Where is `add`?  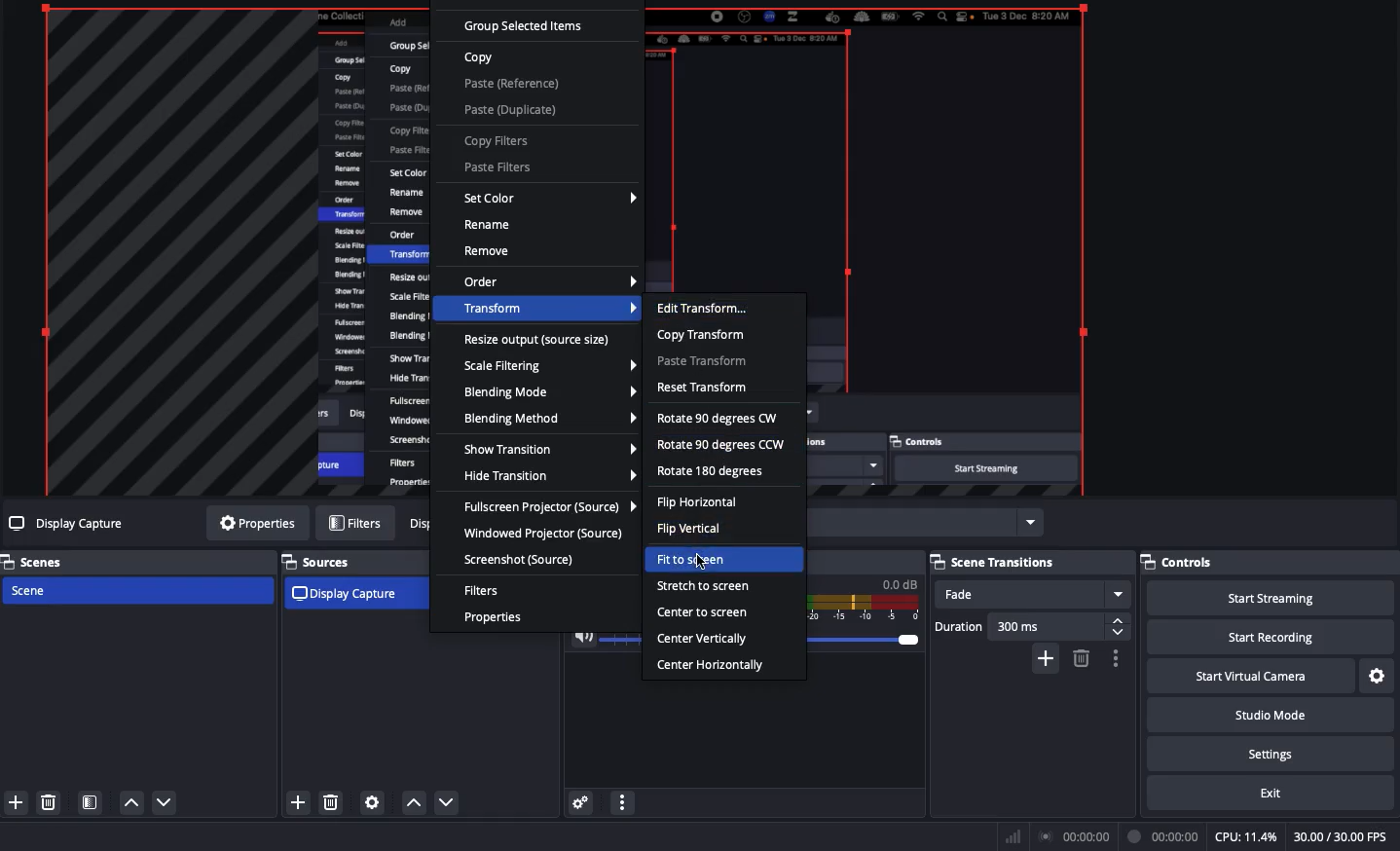 add is located at coordinates (298, 801).